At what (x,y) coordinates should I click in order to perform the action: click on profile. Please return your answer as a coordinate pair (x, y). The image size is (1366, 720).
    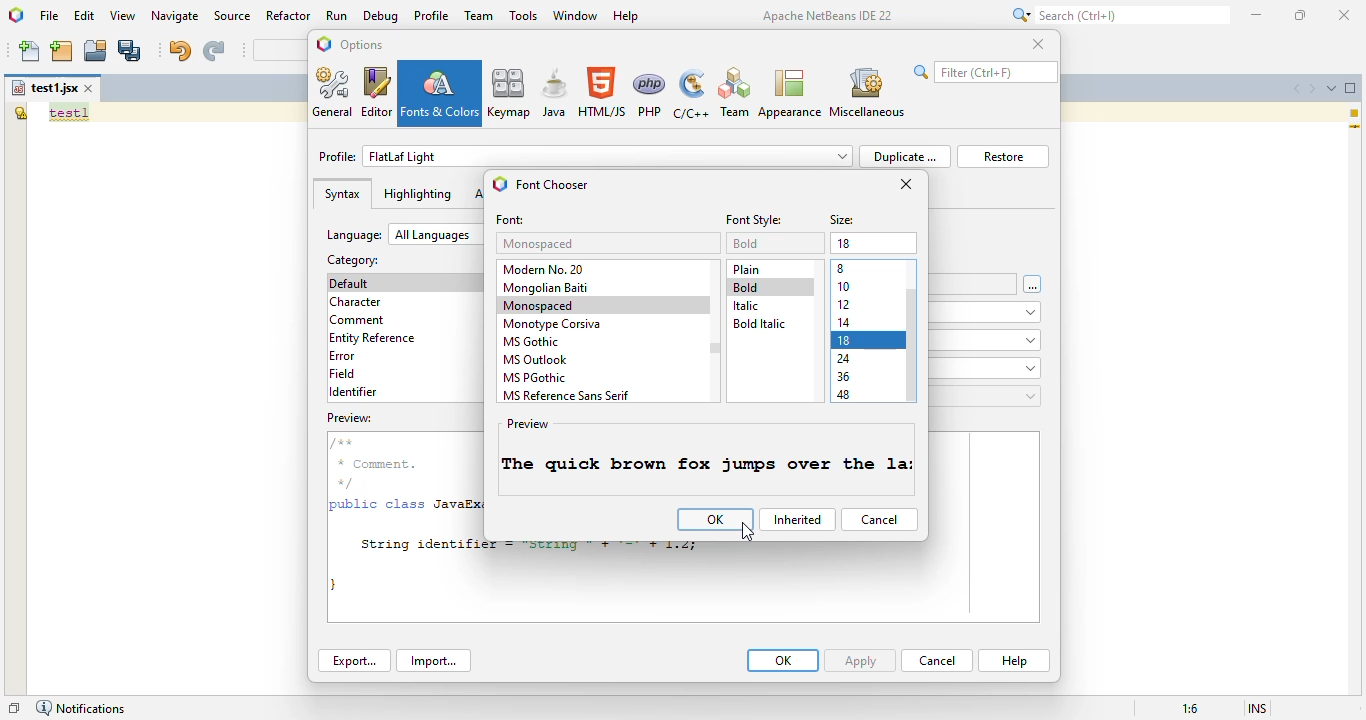
    Looking at the image, I should click on (586, 156).